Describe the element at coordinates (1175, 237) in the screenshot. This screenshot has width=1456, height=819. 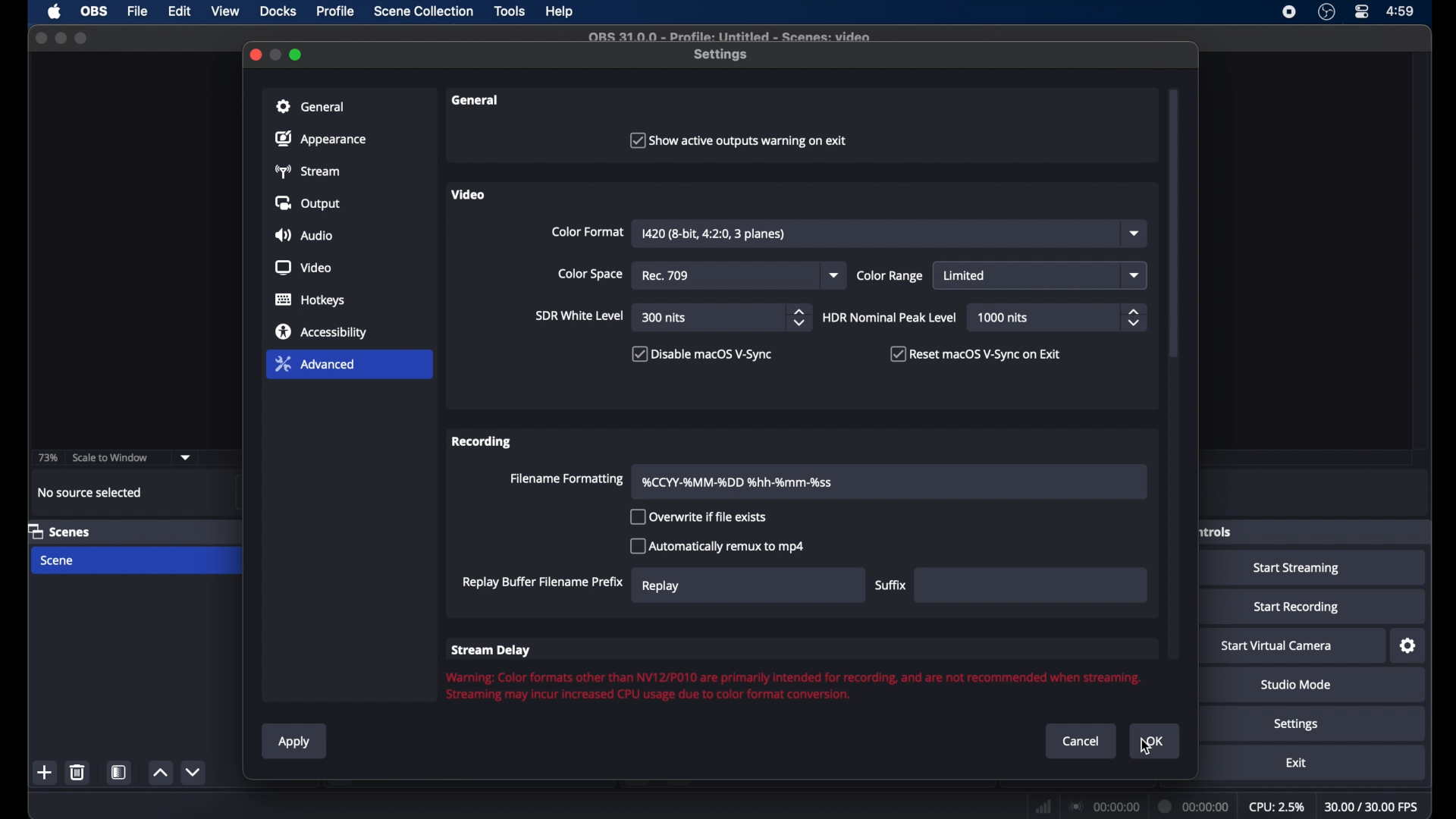
I see `scroll box` at that location.